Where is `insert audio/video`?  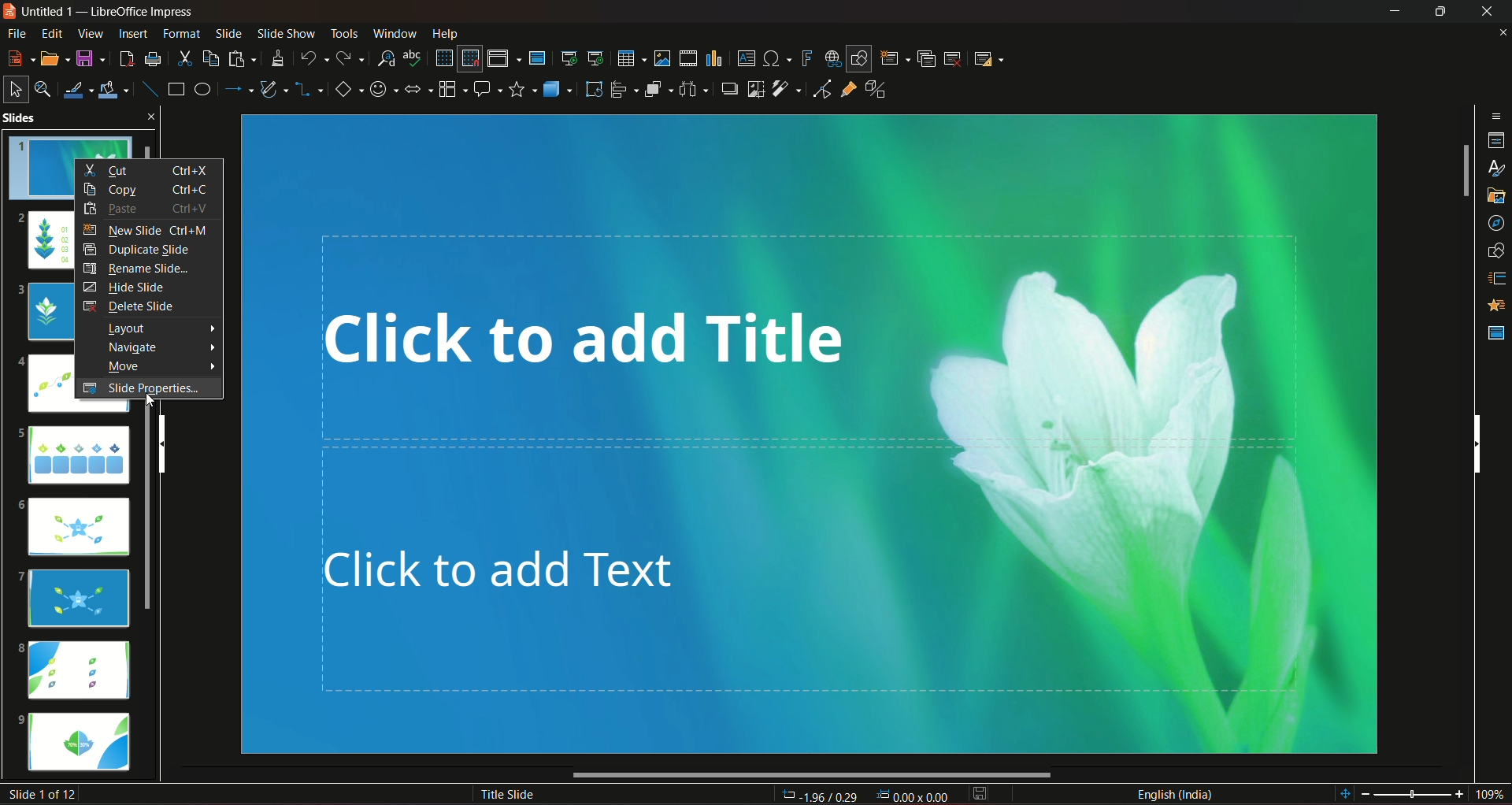
insert audio/video is located at coordinates (689, 59).